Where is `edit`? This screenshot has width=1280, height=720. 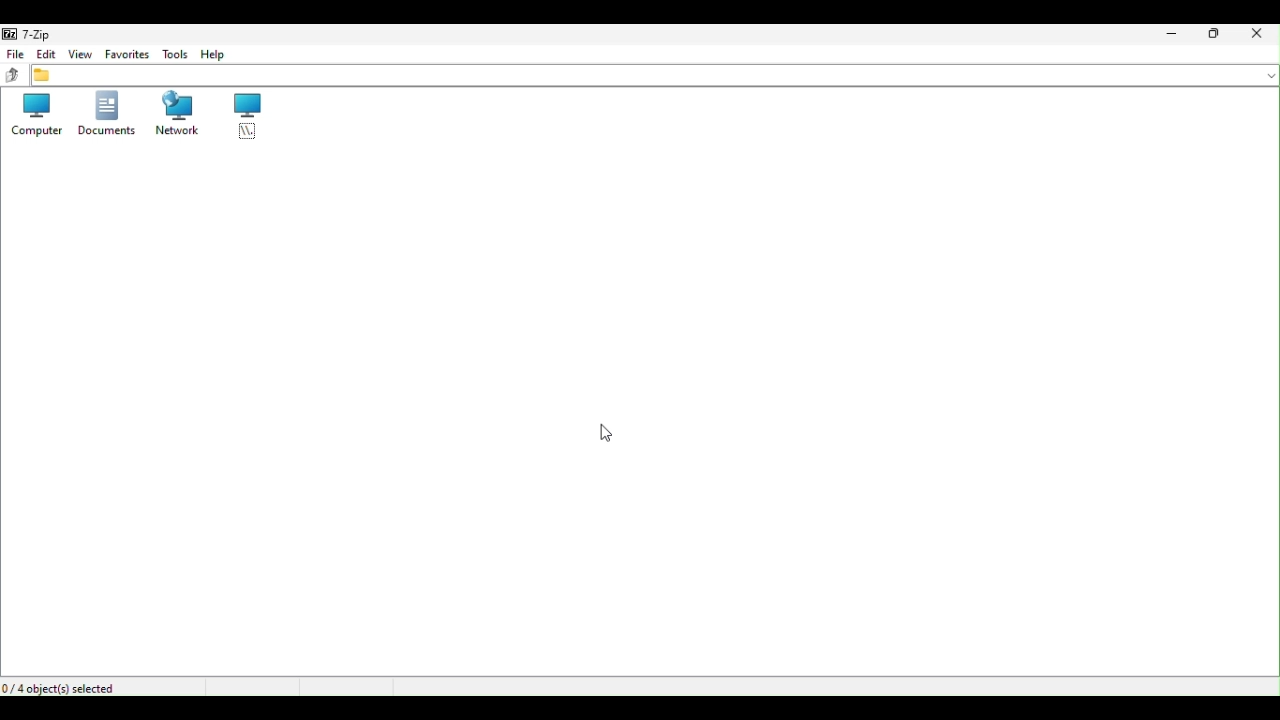
edit is located at coordinates (47, 56).